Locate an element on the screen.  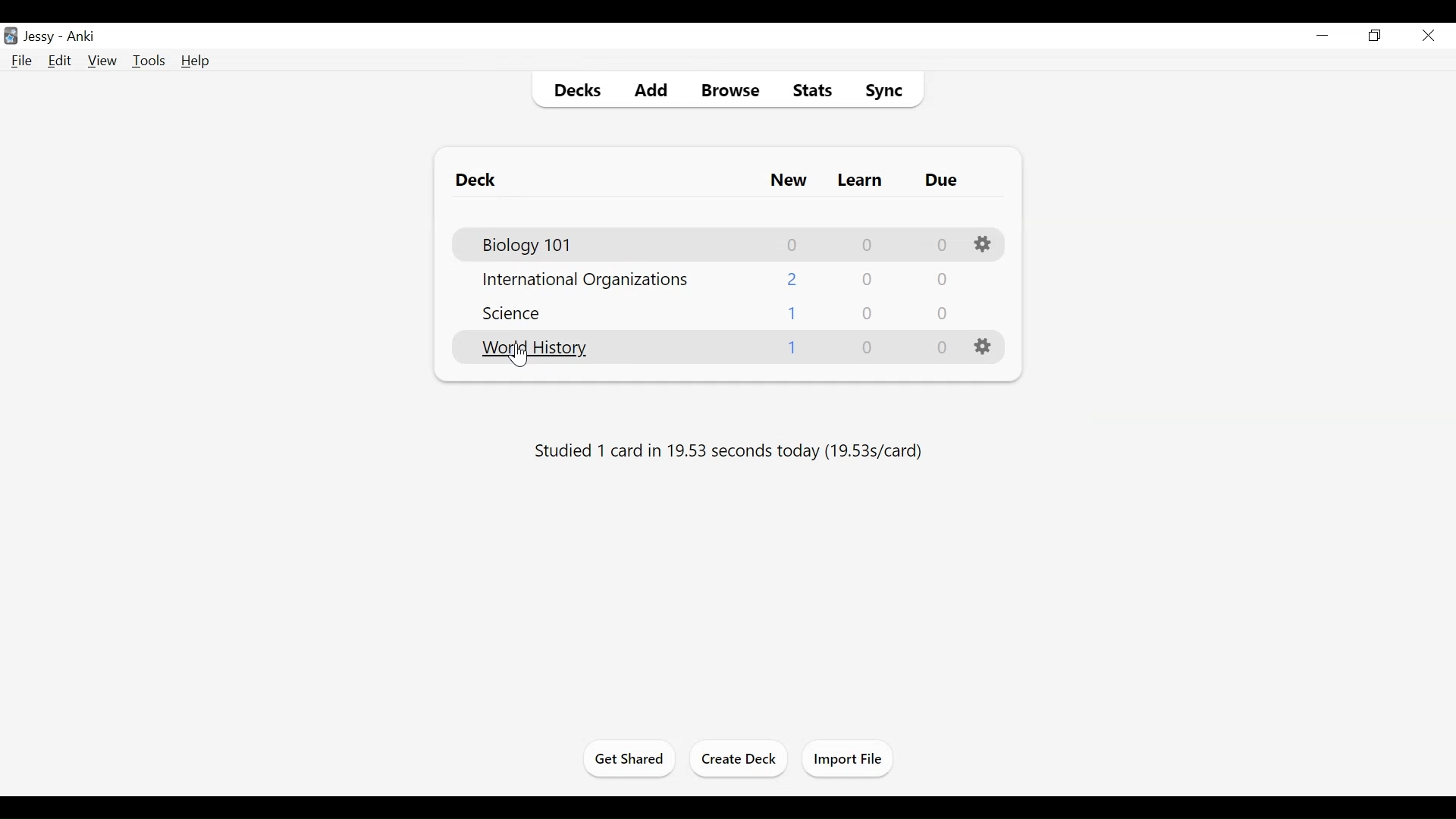
Due Cards Count is located at coordinates (940, 313).